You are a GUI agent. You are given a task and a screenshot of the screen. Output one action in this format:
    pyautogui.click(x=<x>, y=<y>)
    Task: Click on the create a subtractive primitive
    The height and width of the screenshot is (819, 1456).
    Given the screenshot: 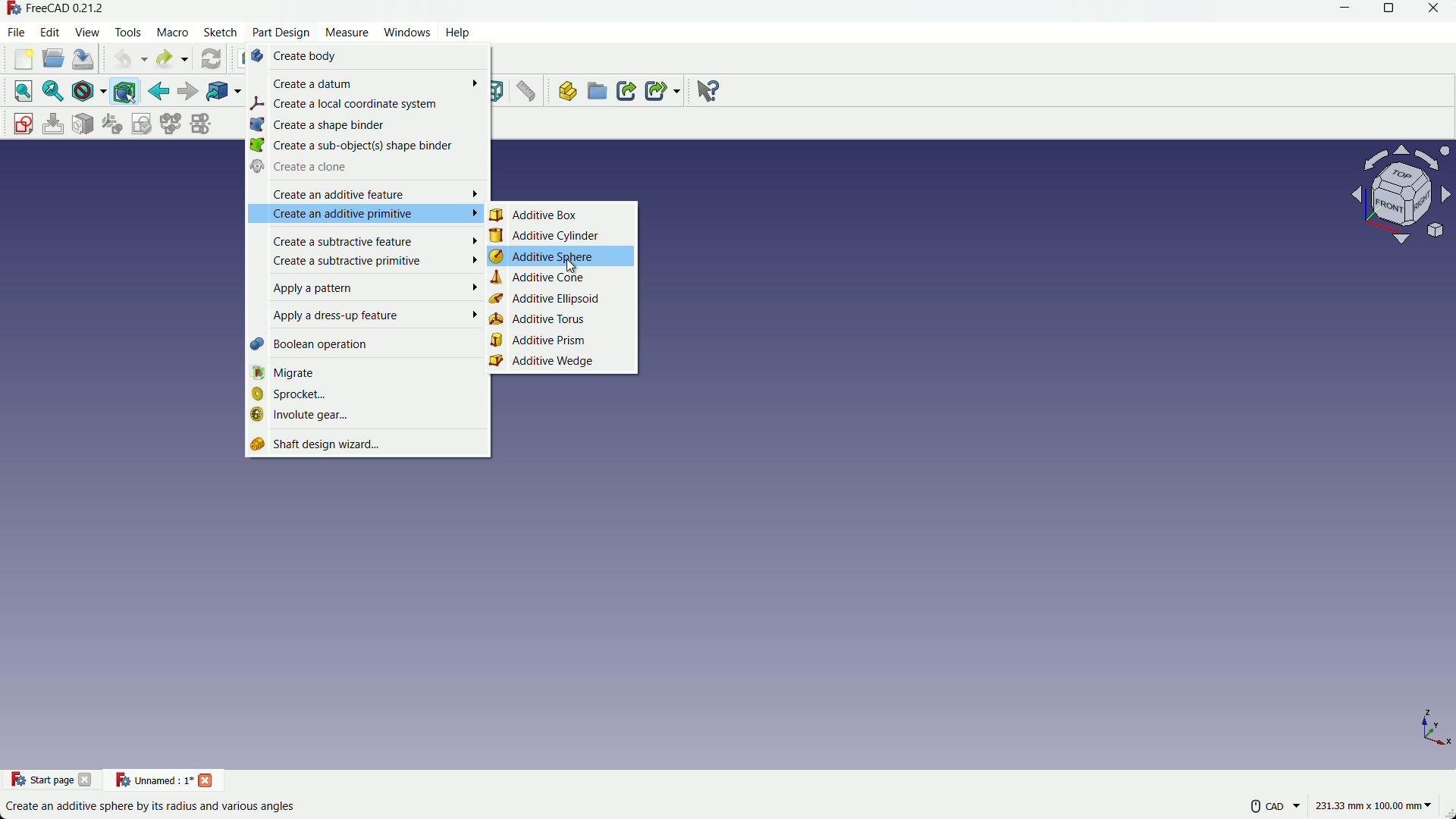 What is the action you would take?
    pyautogui.click(x=370, y=262)
    